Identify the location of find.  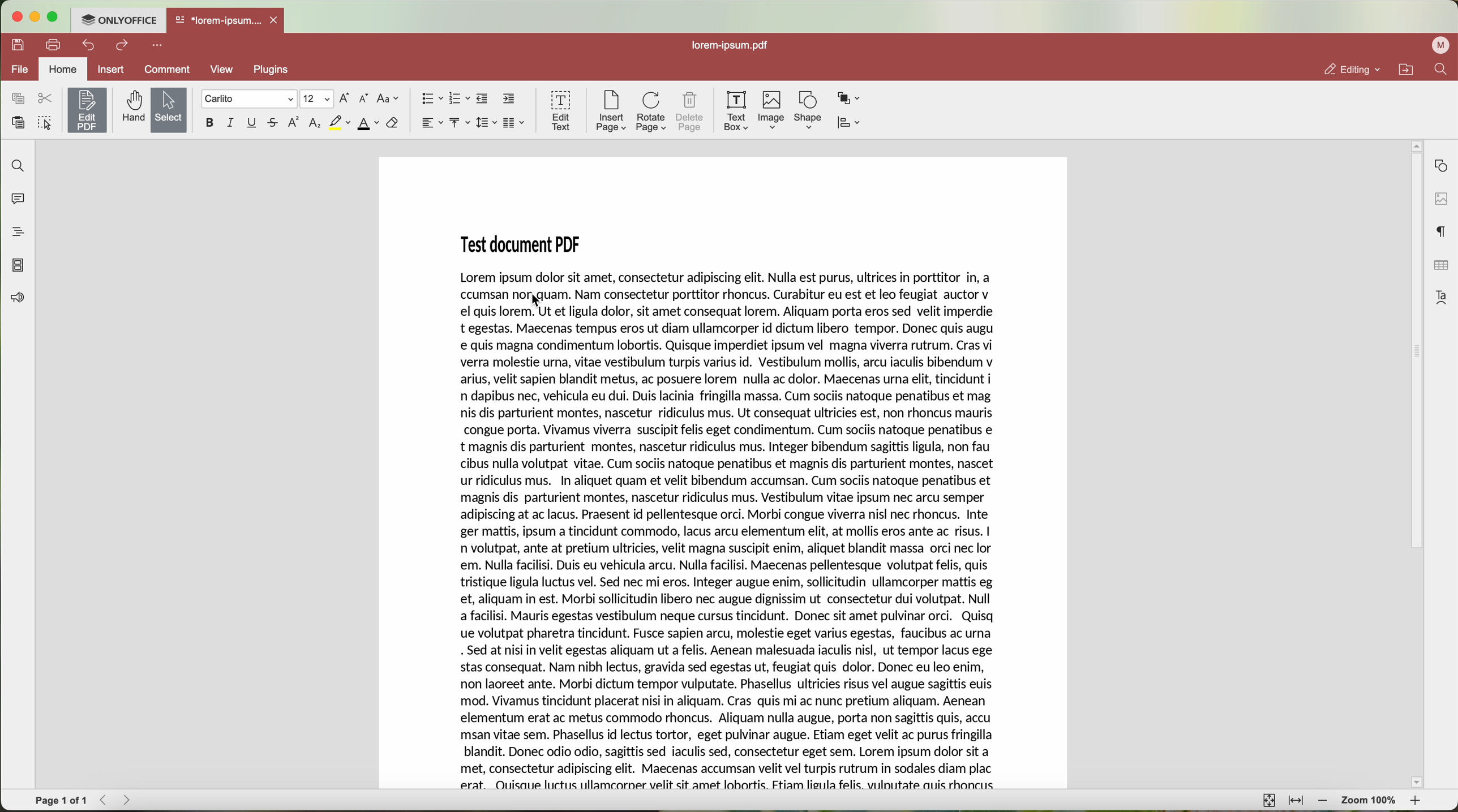
(18, 166).